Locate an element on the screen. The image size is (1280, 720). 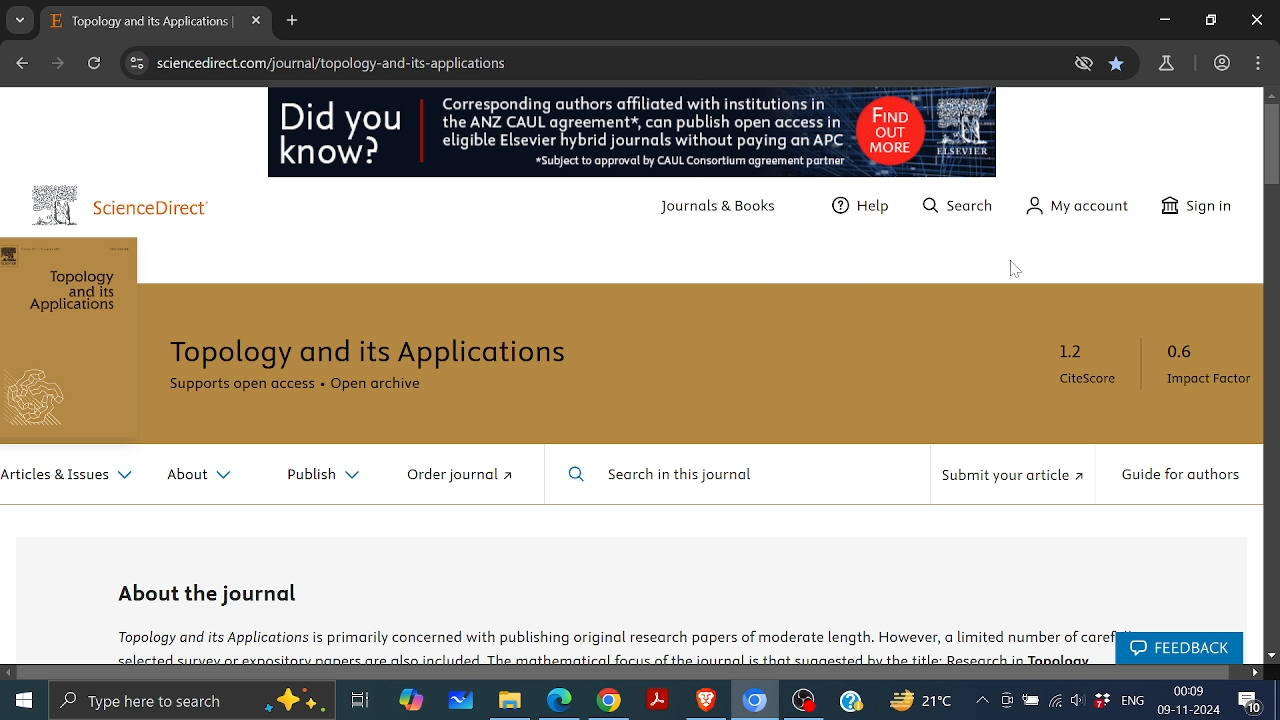
Topology and its Applications is located at coordinates (383, 353).